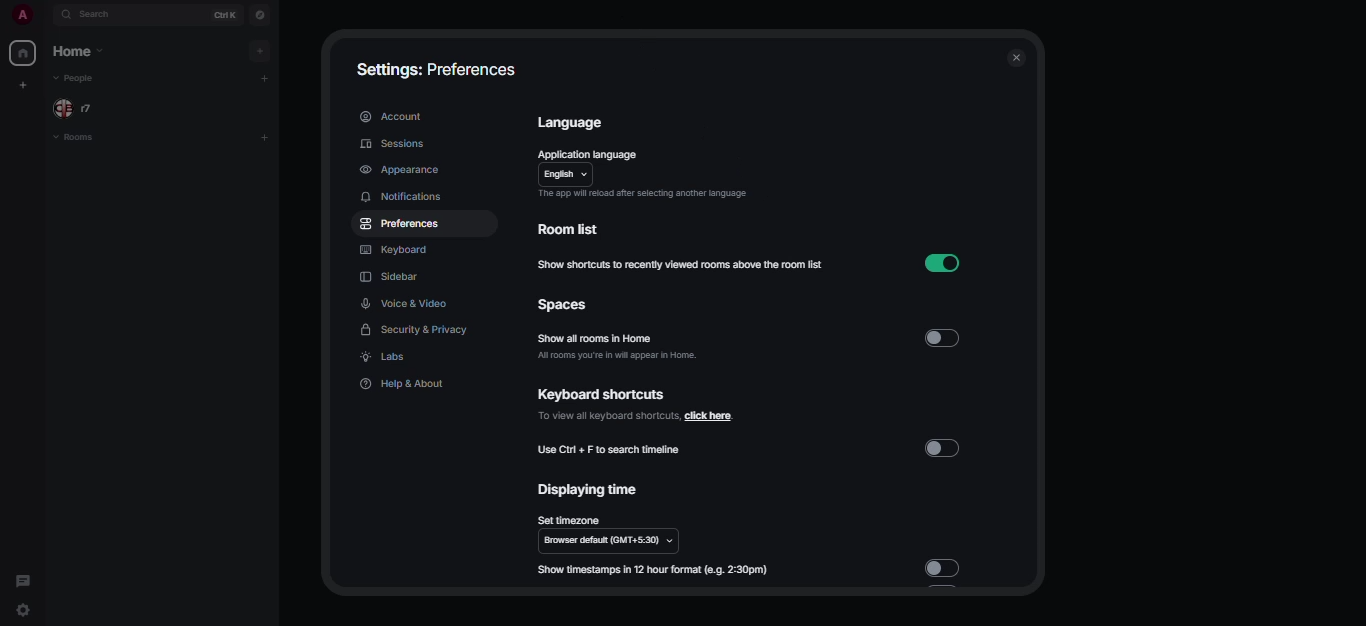  Describe the element at coordinates (569, 520) in the screenshot. I see `set timezone` at that location.